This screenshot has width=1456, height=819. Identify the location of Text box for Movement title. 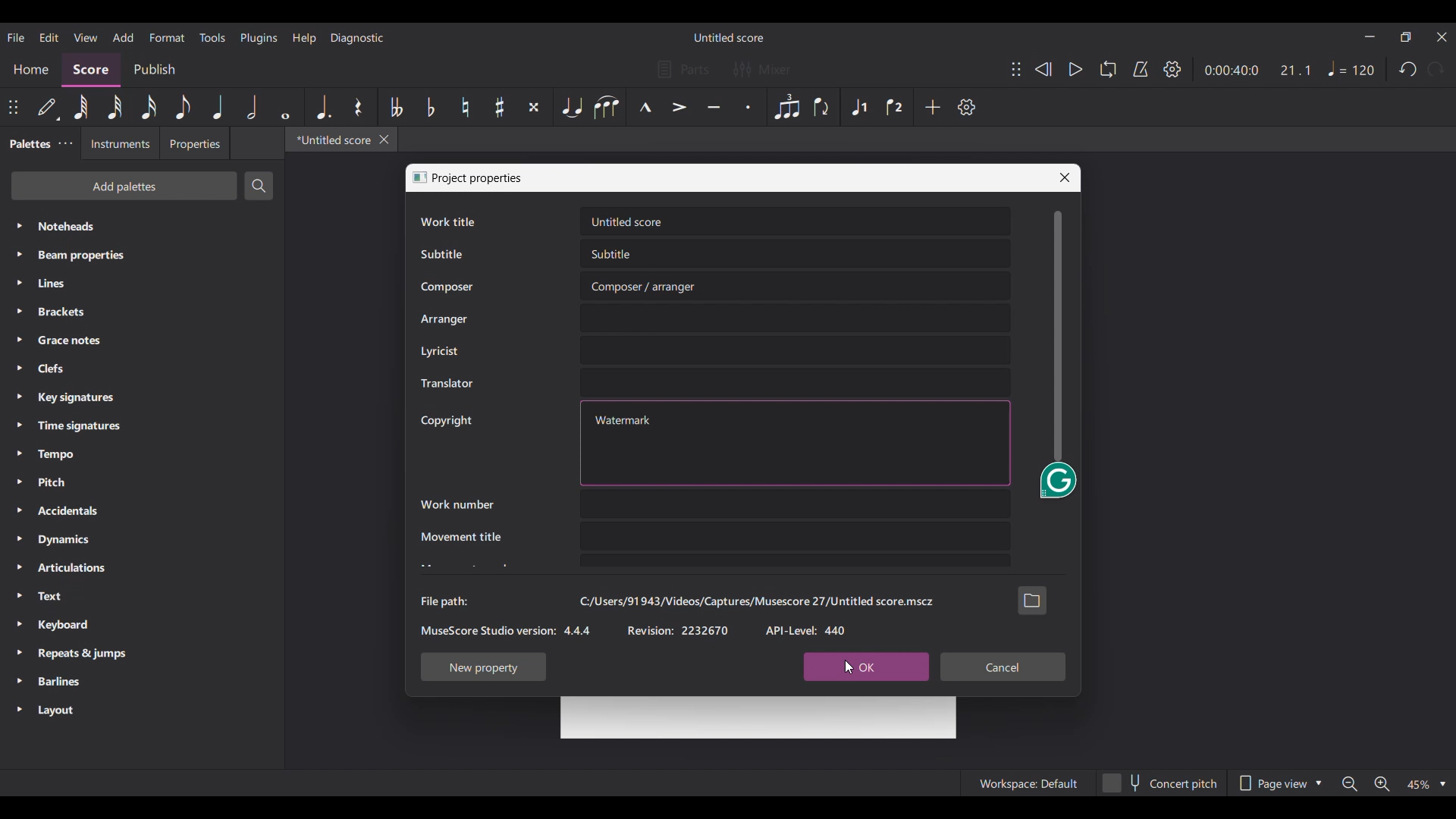
(795, 536).